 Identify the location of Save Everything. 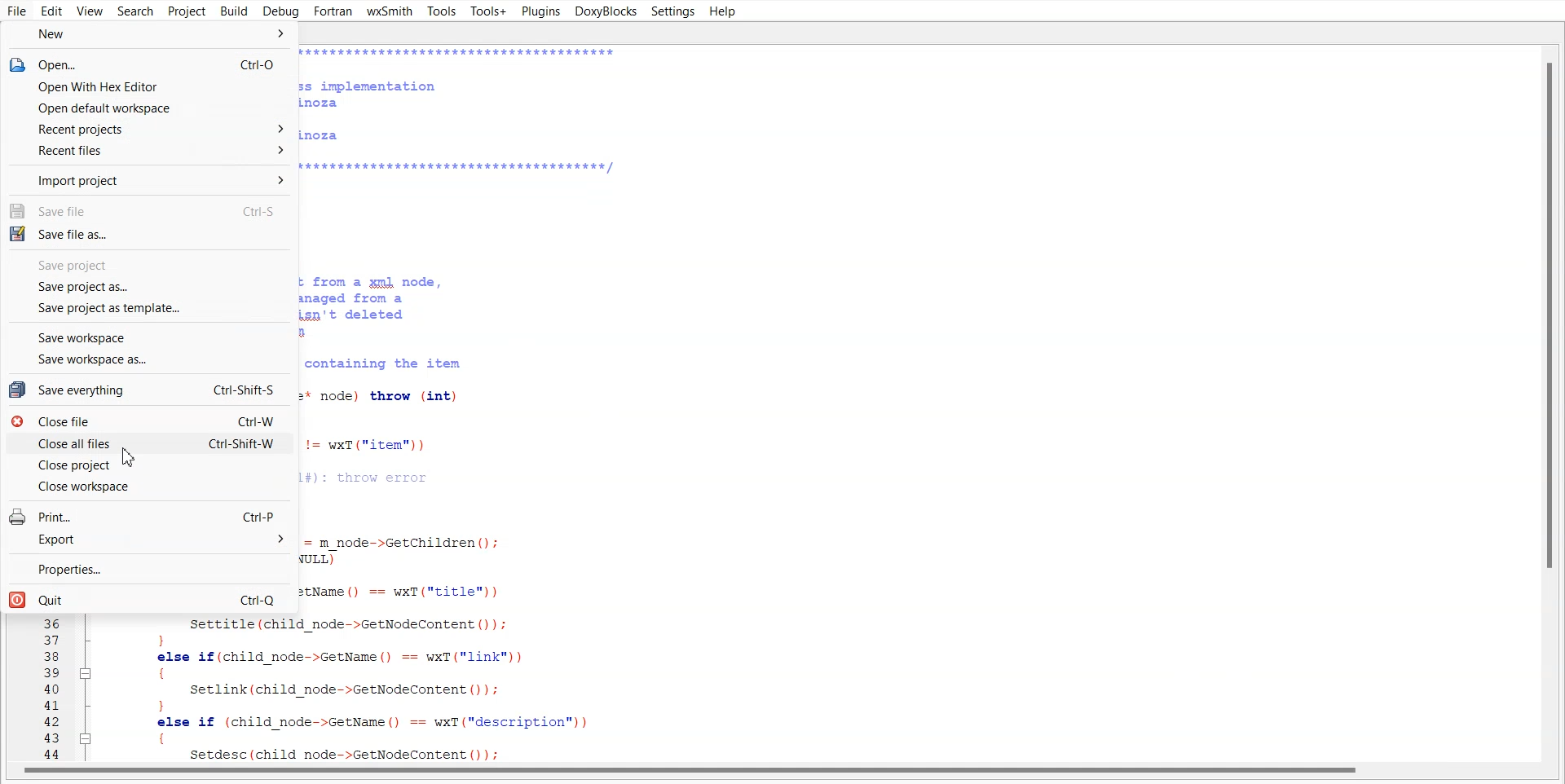
(148, 389).